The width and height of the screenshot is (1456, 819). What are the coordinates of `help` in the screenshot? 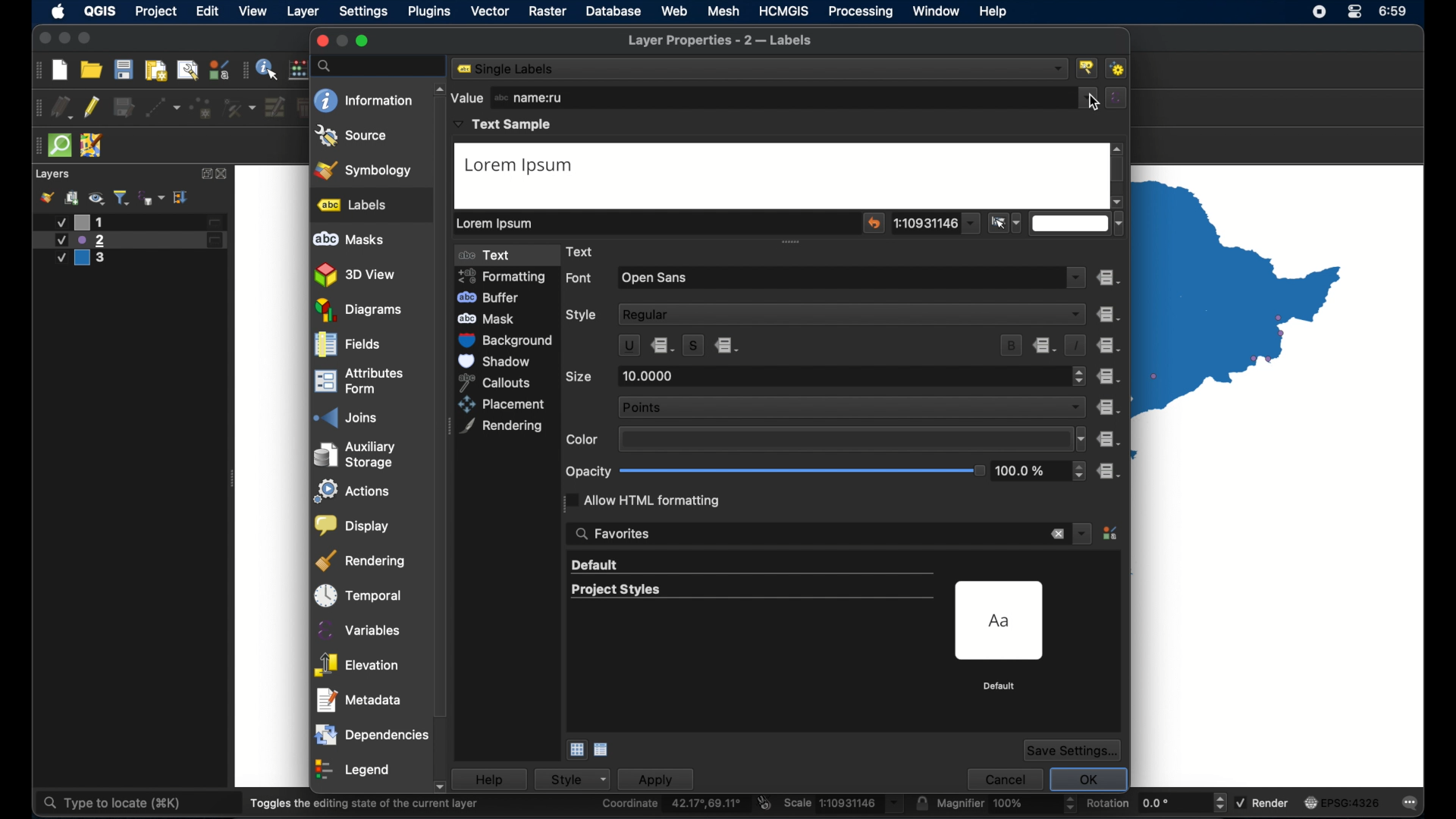 It's located at (497, 779).